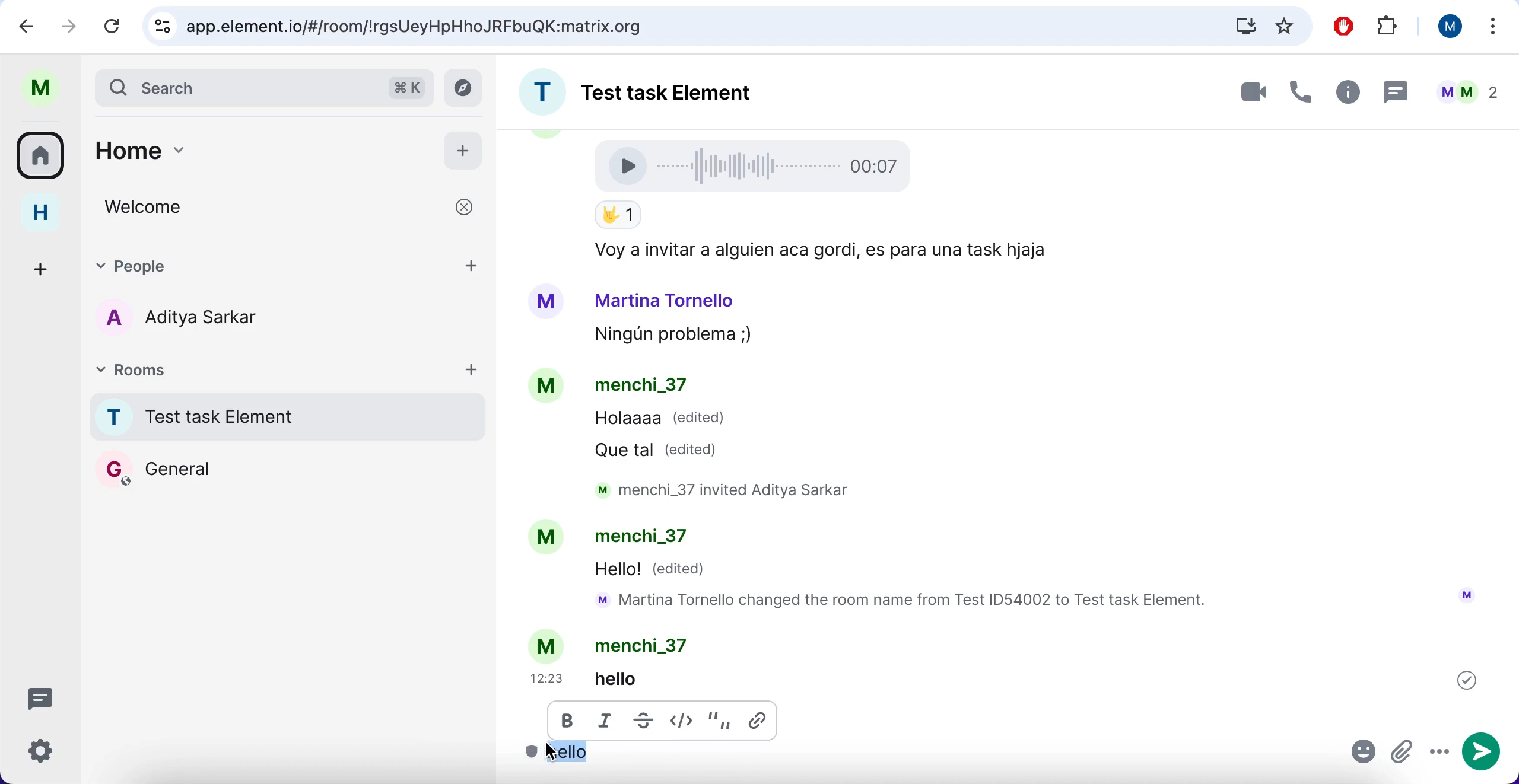 The image size is (1519, 784). I want to click on videocall, so click(1252, 91).